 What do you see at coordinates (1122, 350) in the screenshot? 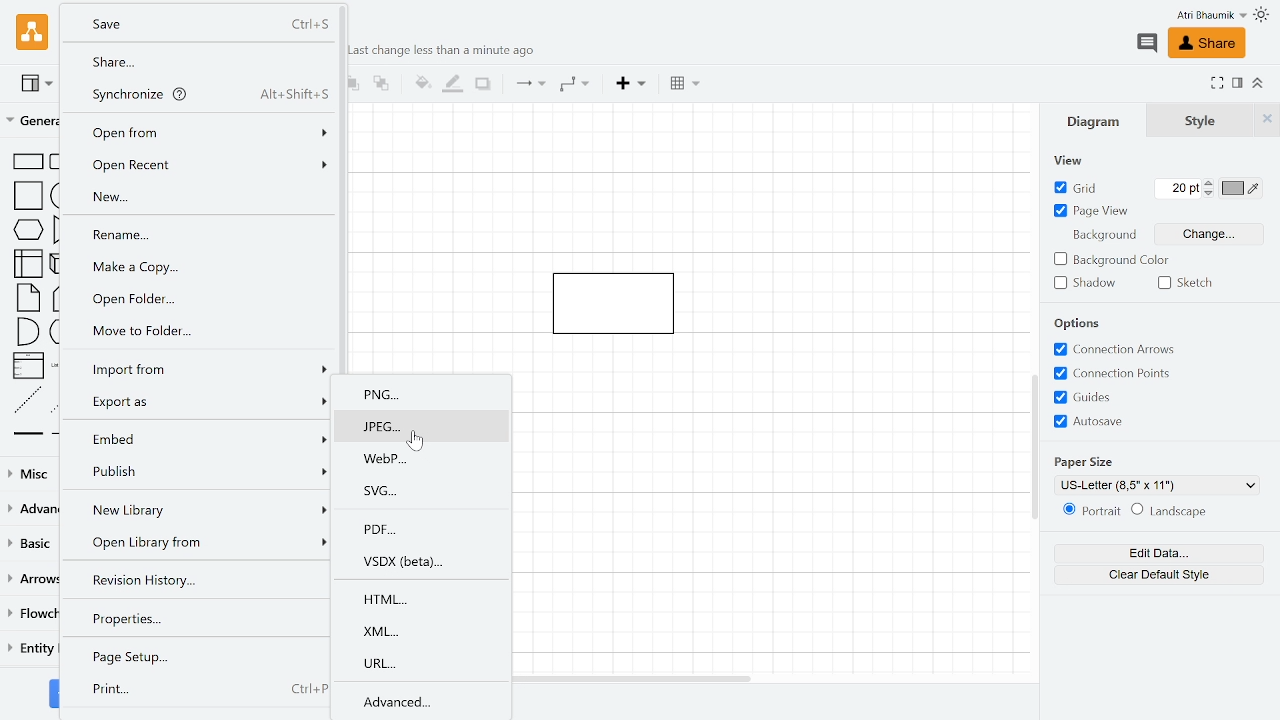
I see `Connection arrows` at bounding box center [1122, 350].